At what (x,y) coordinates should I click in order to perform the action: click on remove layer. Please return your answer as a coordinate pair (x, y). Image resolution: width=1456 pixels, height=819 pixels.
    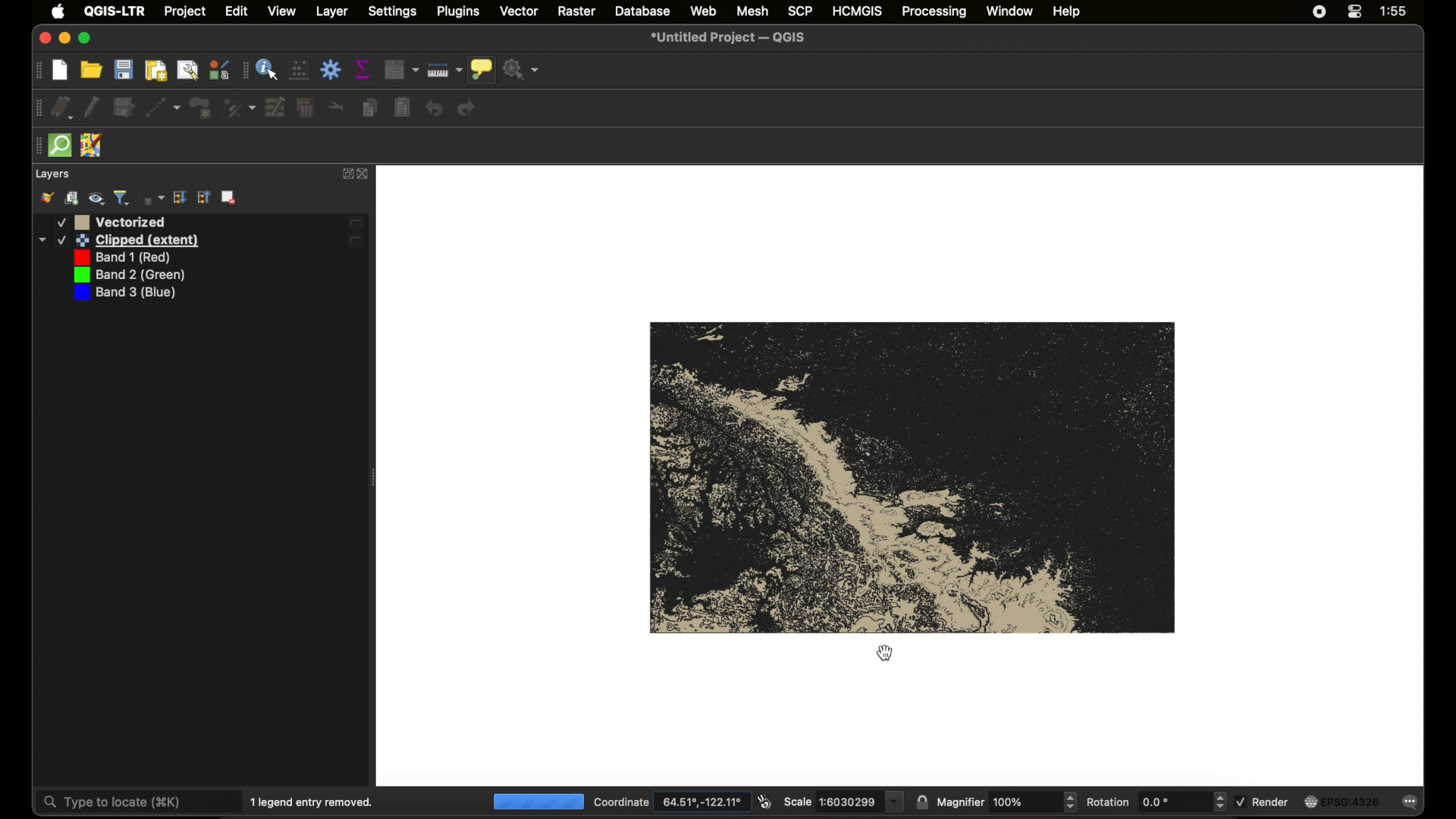
    Looking at the image, I should click on (229, 197).